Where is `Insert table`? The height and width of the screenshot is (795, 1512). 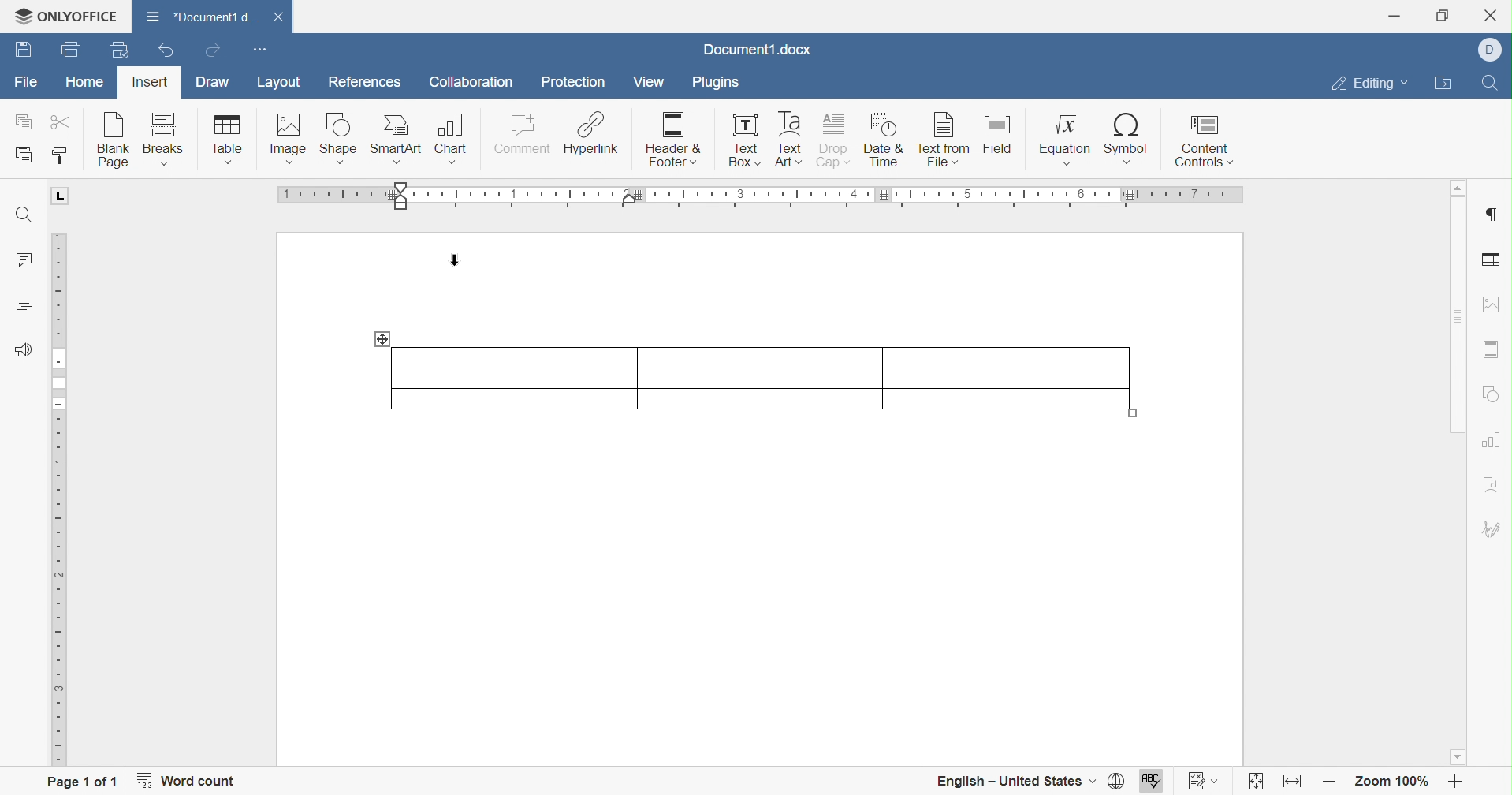
Insert table is located at coordinates (229, 140).